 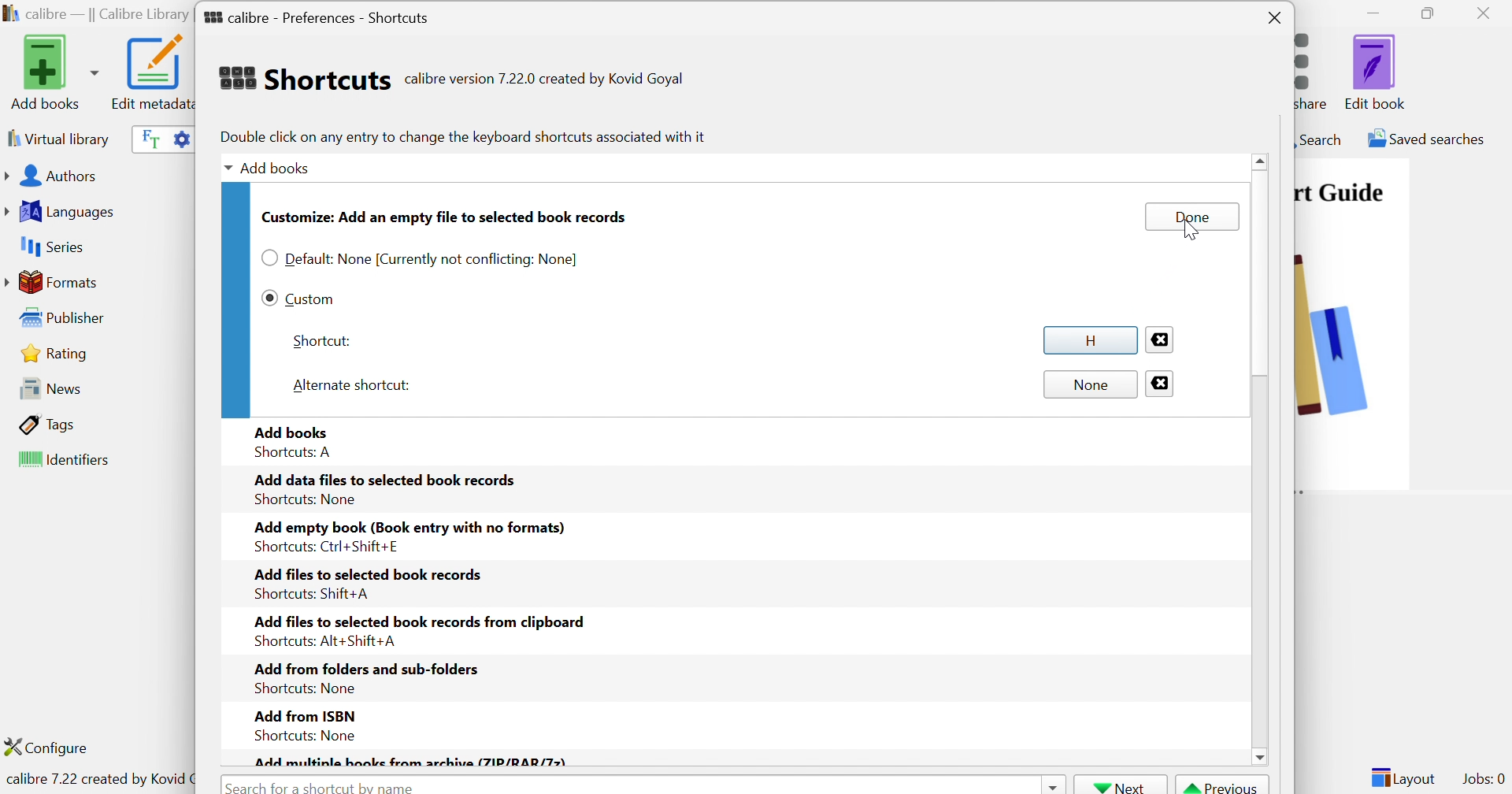 I want to click on Shortcuts: None, so click(x=300, y=735).